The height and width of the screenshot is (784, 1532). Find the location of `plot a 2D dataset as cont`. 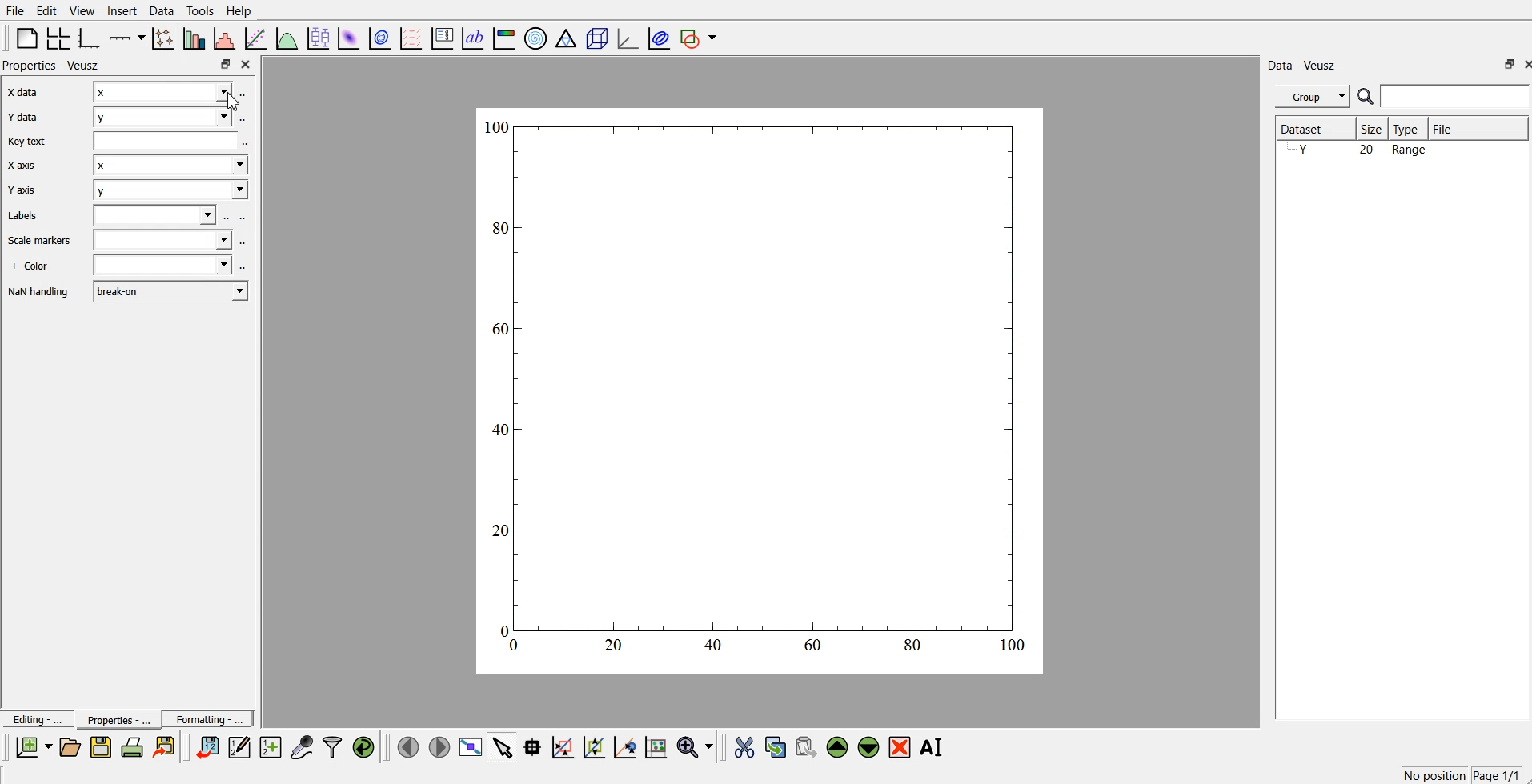

plot a 2D dataset as cont is located at coordinates (381, 38).